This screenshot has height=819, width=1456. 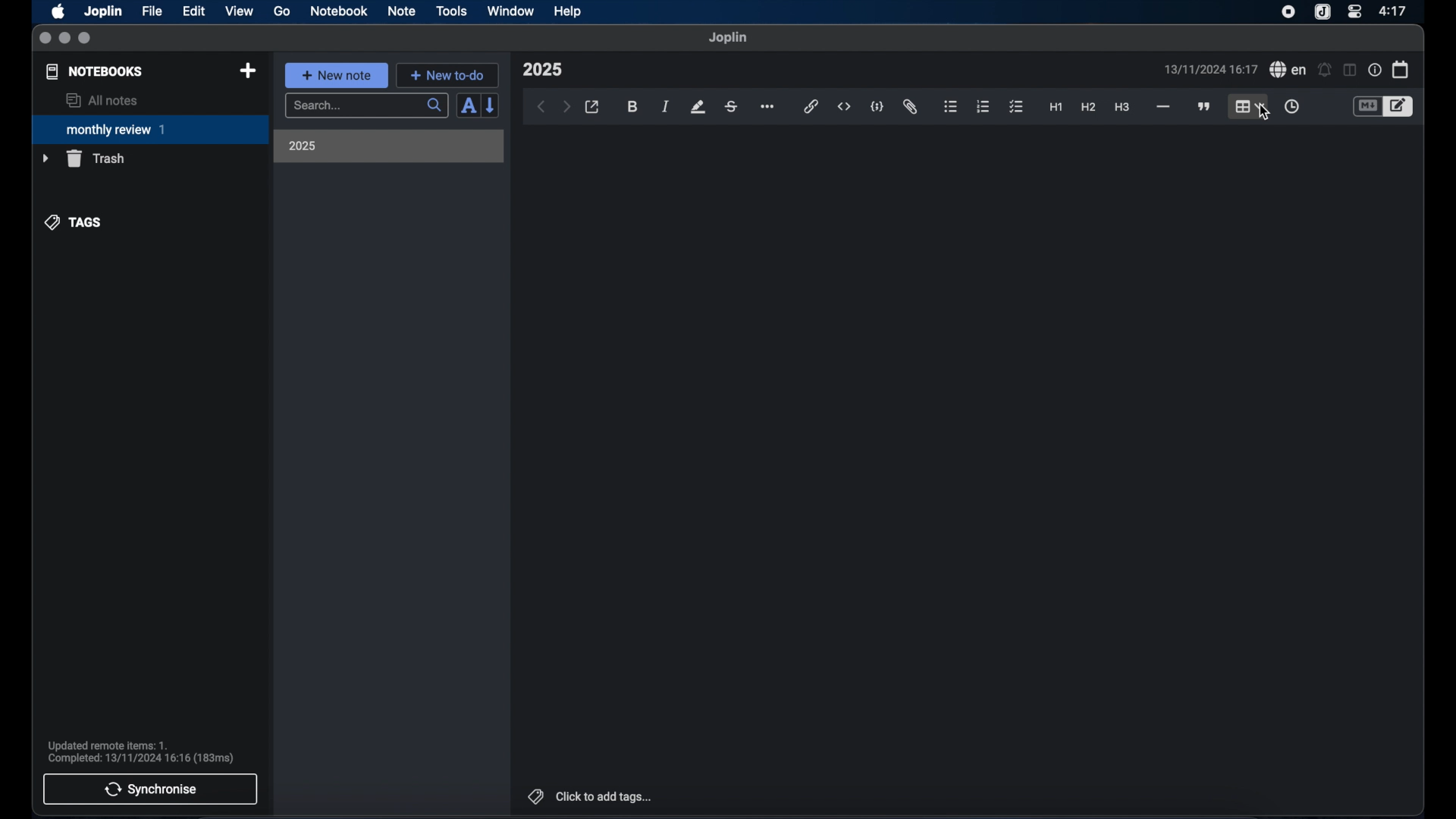 I want to click on heading 1, so click(x=1056, y=108).